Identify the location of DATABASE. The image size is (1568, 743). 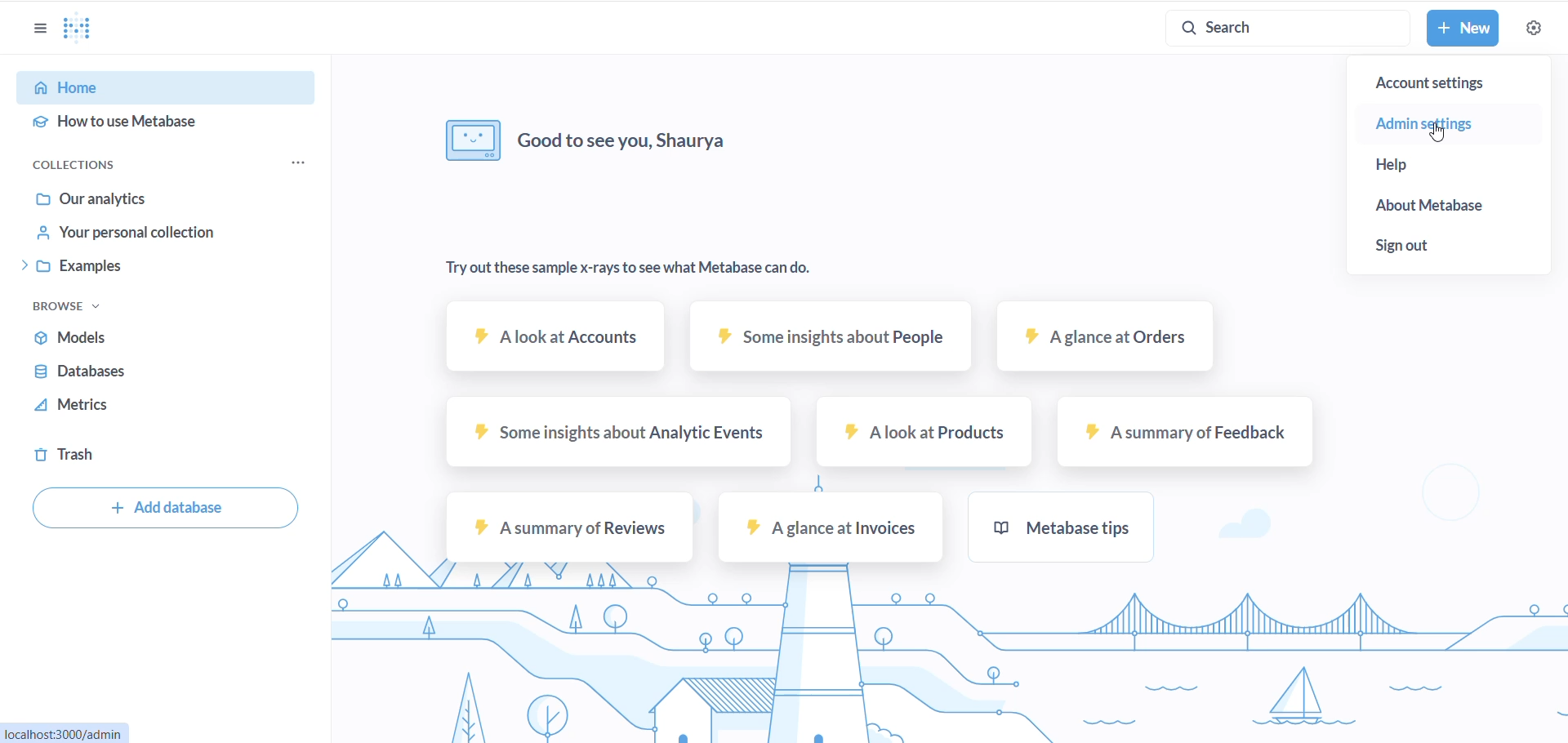
(109, 373).